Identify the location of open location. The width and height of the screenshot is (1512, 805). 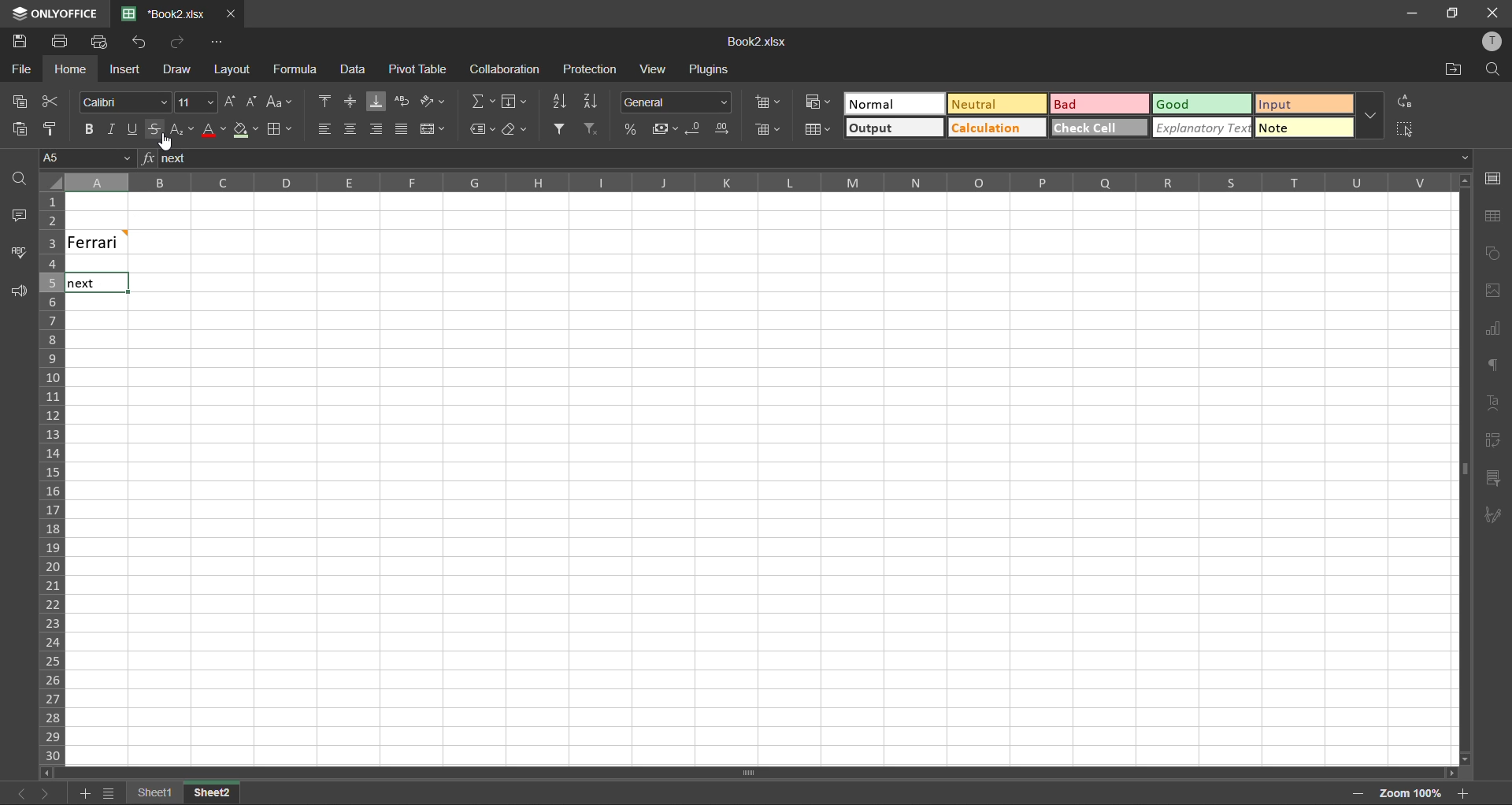
(1450, 72).